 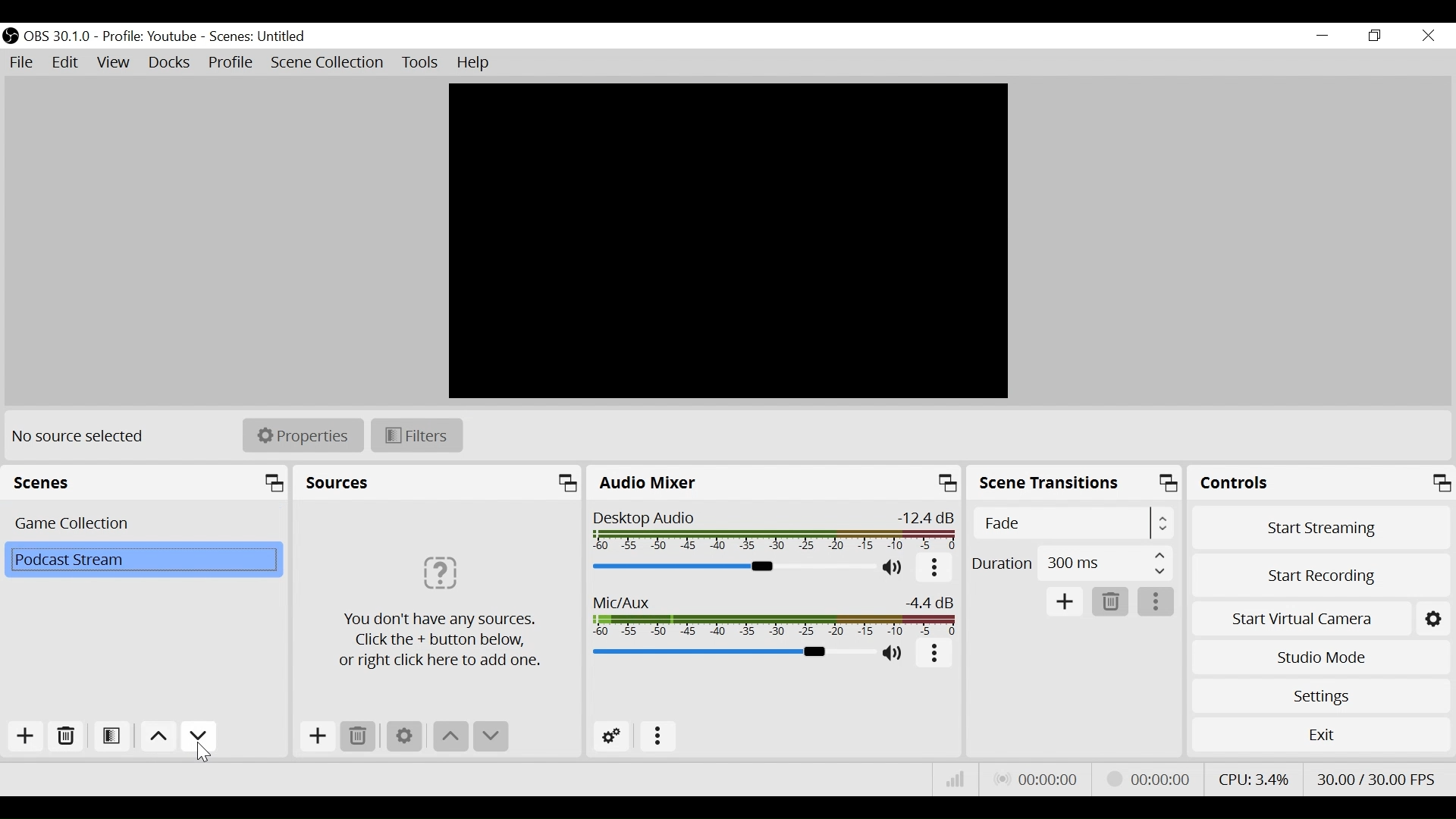 What do you see at coordinates (1380, 778) in the screenshot?
I see `Frame Per Second` at bounding box center [1380, 778].